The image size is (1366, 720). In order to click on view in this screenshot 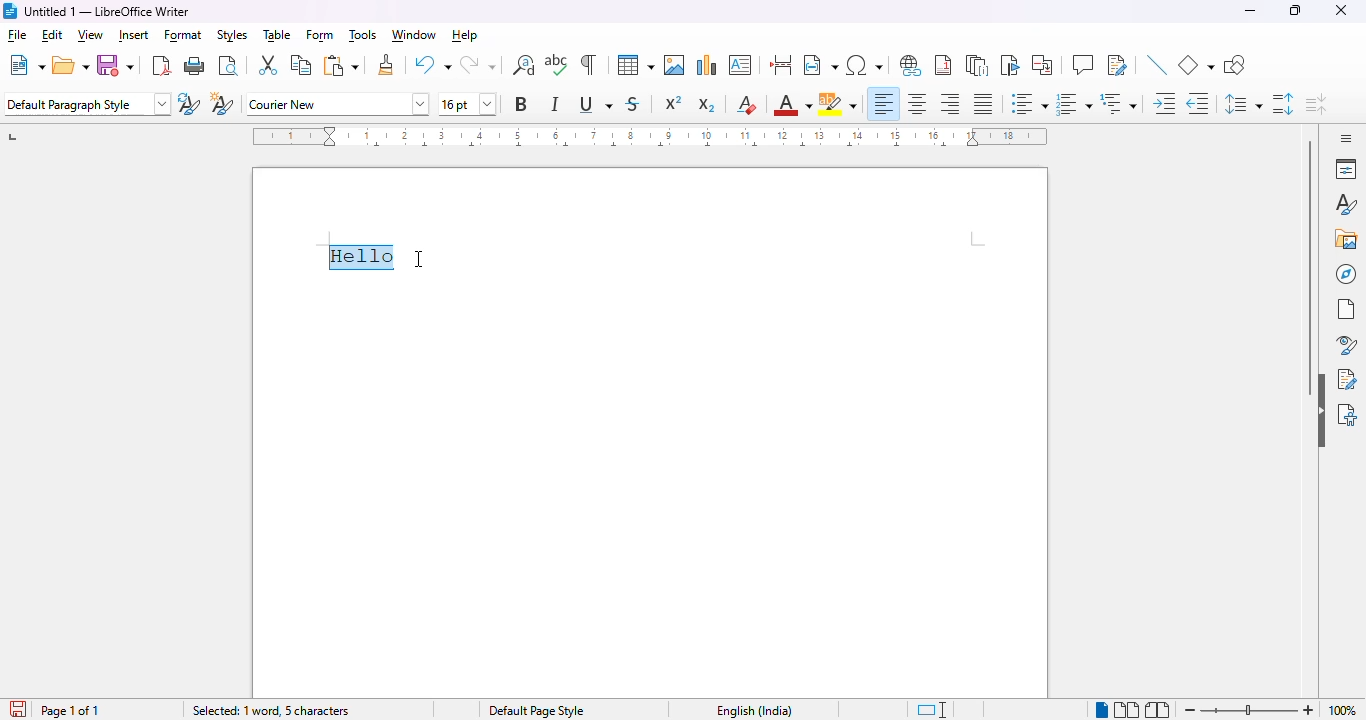, I will do `click(91, 36)`.